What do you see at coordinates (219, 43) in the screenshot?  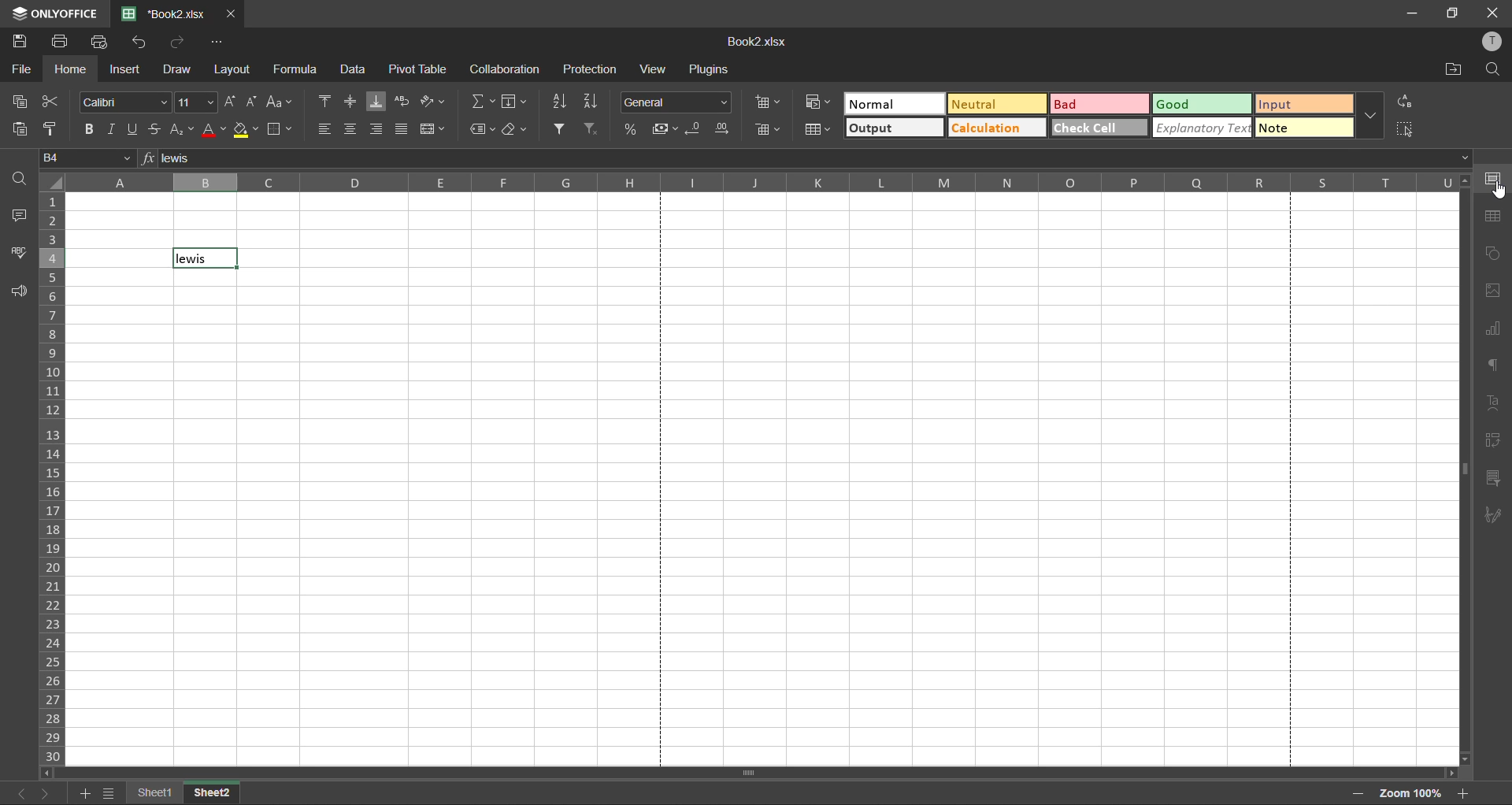 I see `customize quick access toolbar` at bounding box center [219, 43].